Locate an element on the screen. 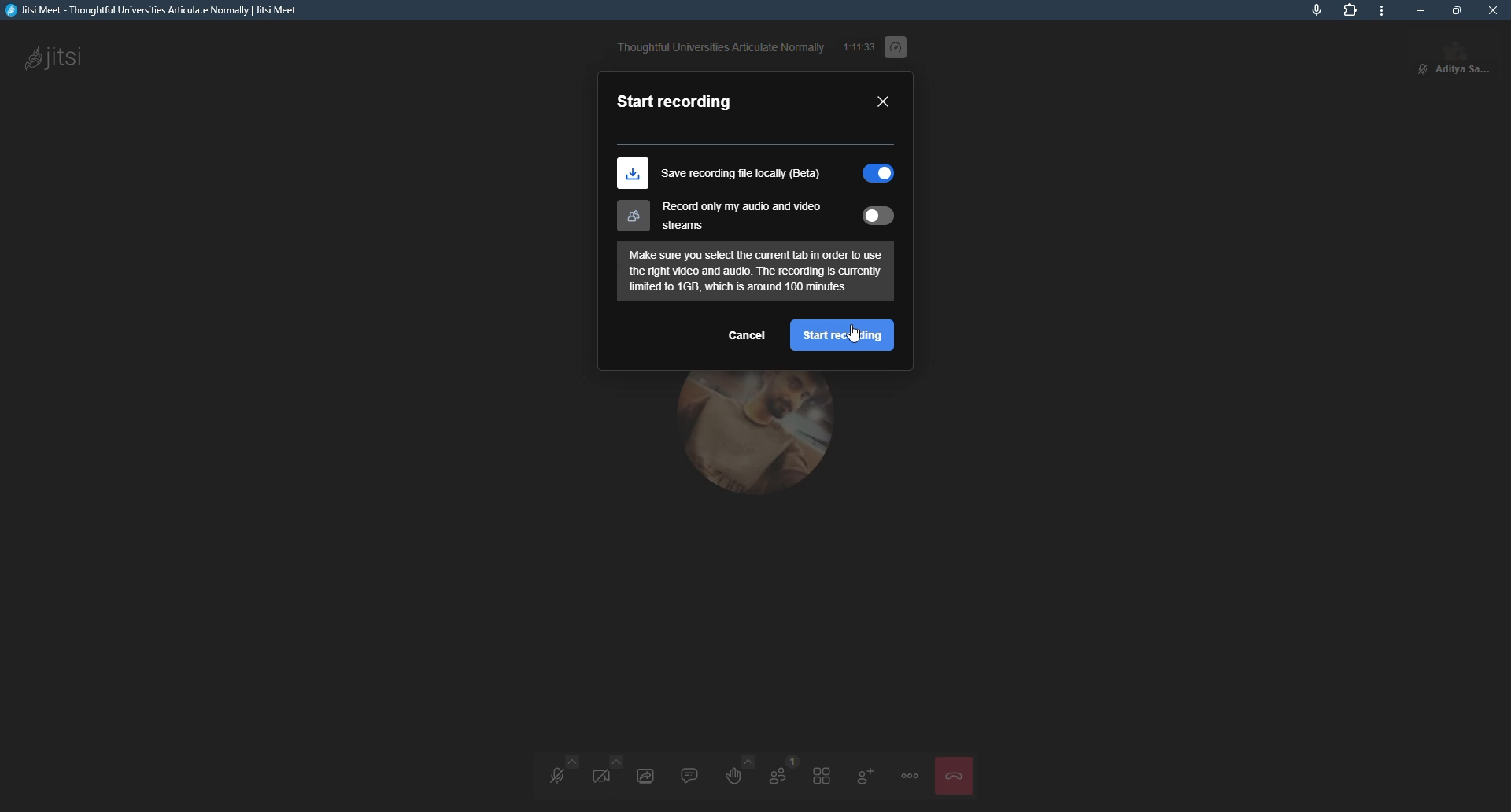 Image resolution: width=1511 pixels, height=812 pixels. start camera is located at coordinates (604, 779).